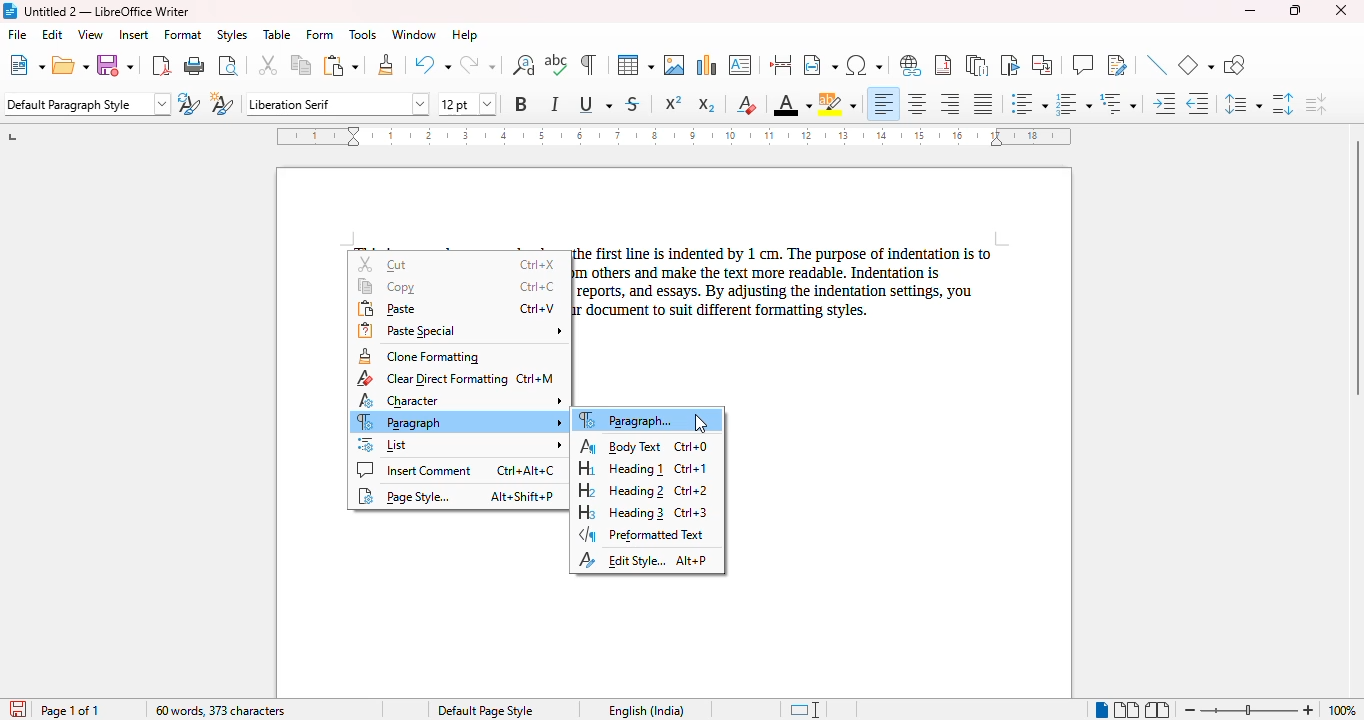 Image resolution: width=1364 pixels, height=720 pixels. Describe the element at coordinates (132, 35) in the screenshot. I see `insert` at that location.